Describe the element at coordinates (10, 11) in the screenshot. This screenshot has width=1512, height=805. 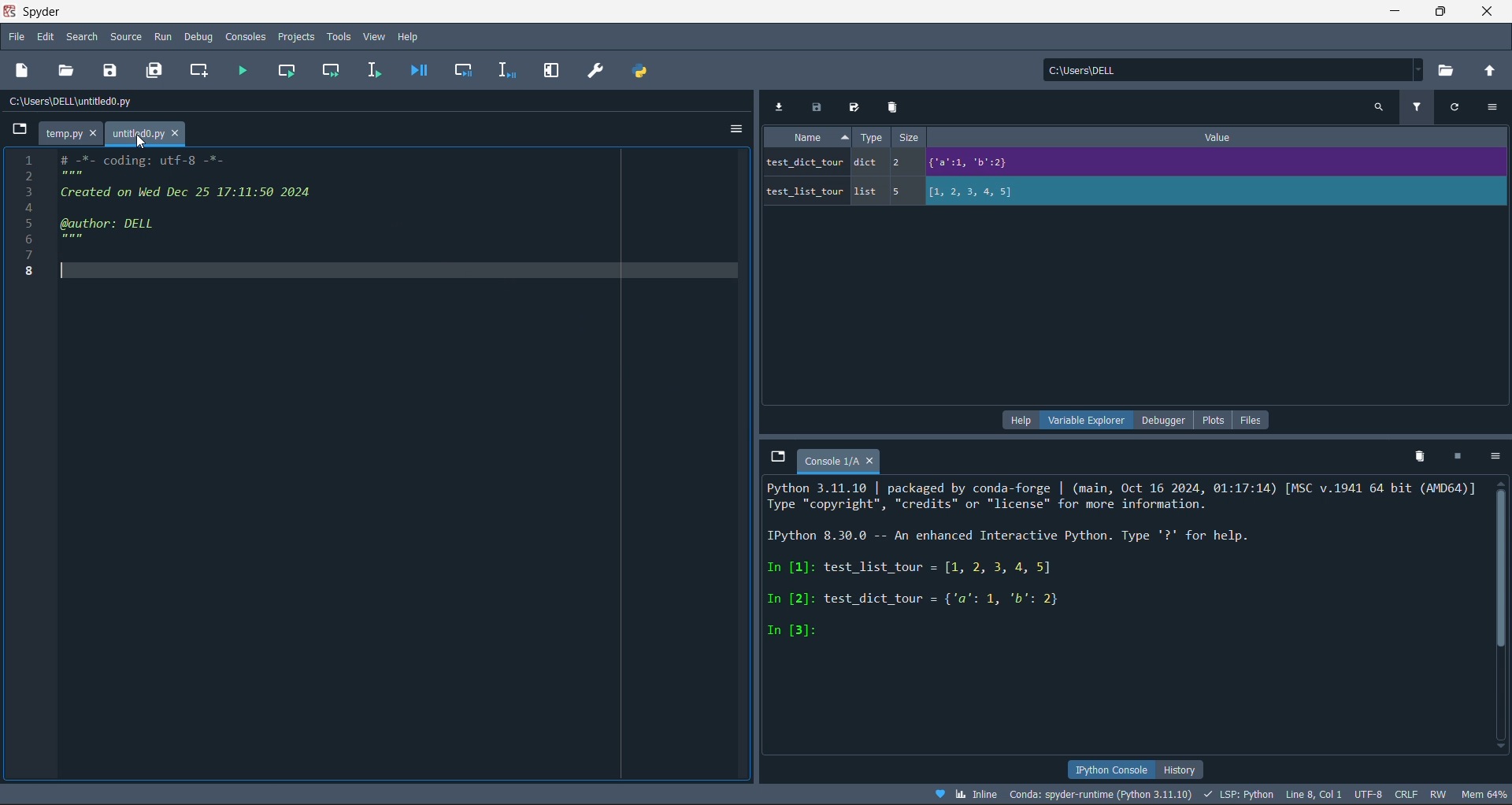
I see `spyder logo` at that location.